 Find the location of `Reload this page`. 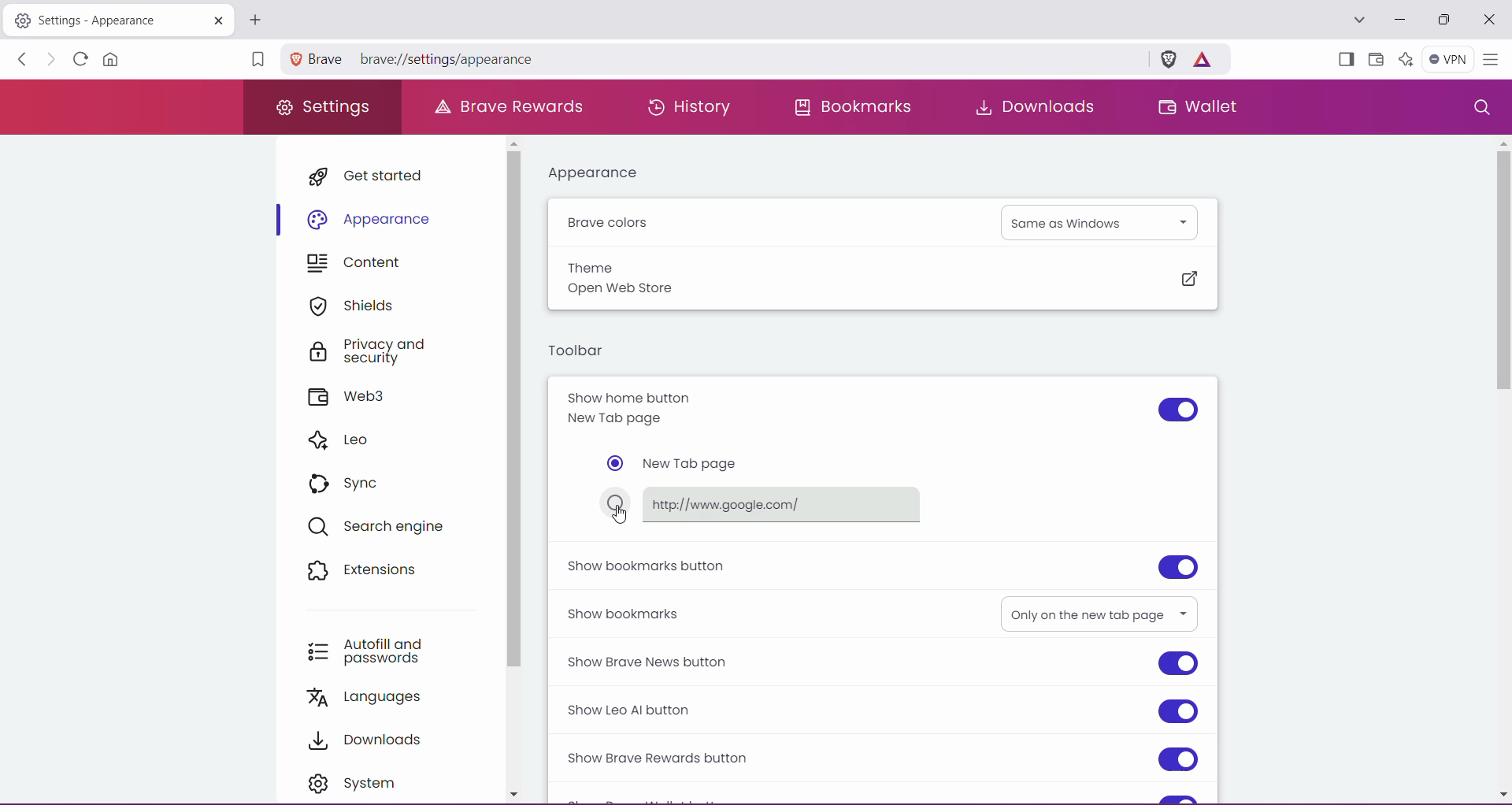

Reload this page is located at coordinates (78, 58).